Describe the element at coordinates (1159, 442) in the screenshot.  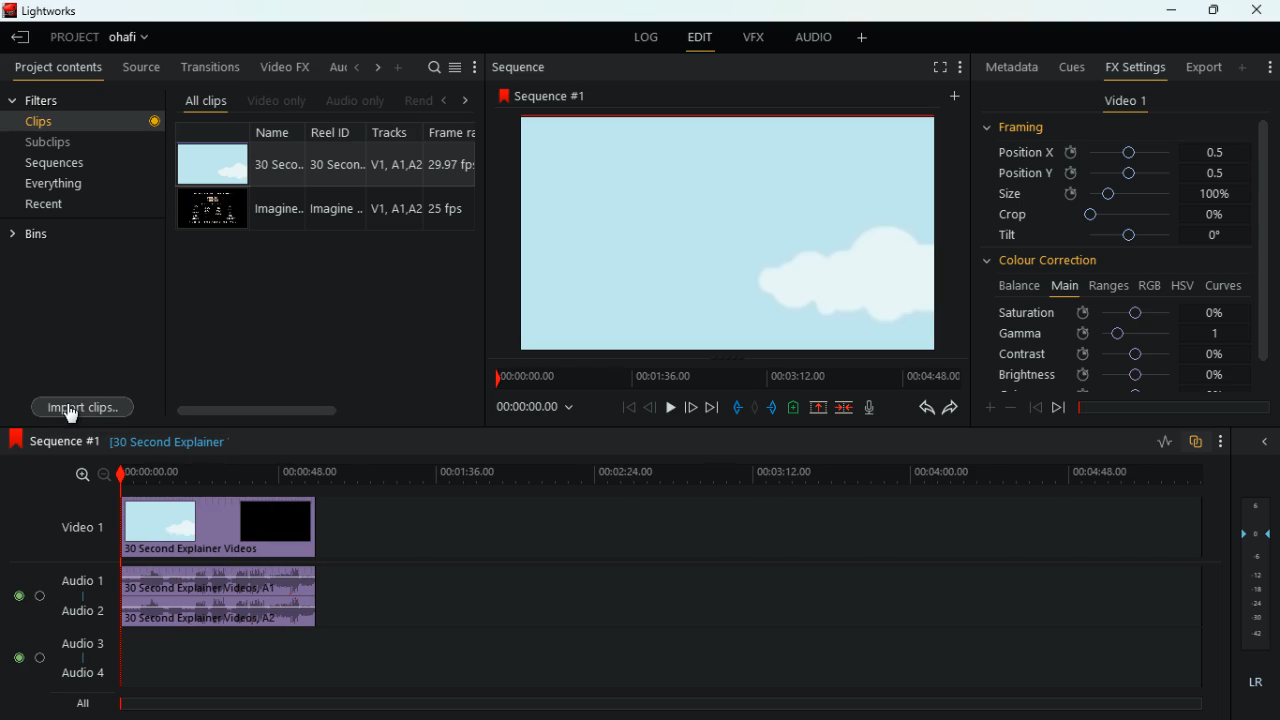
I see `rate` at that location.